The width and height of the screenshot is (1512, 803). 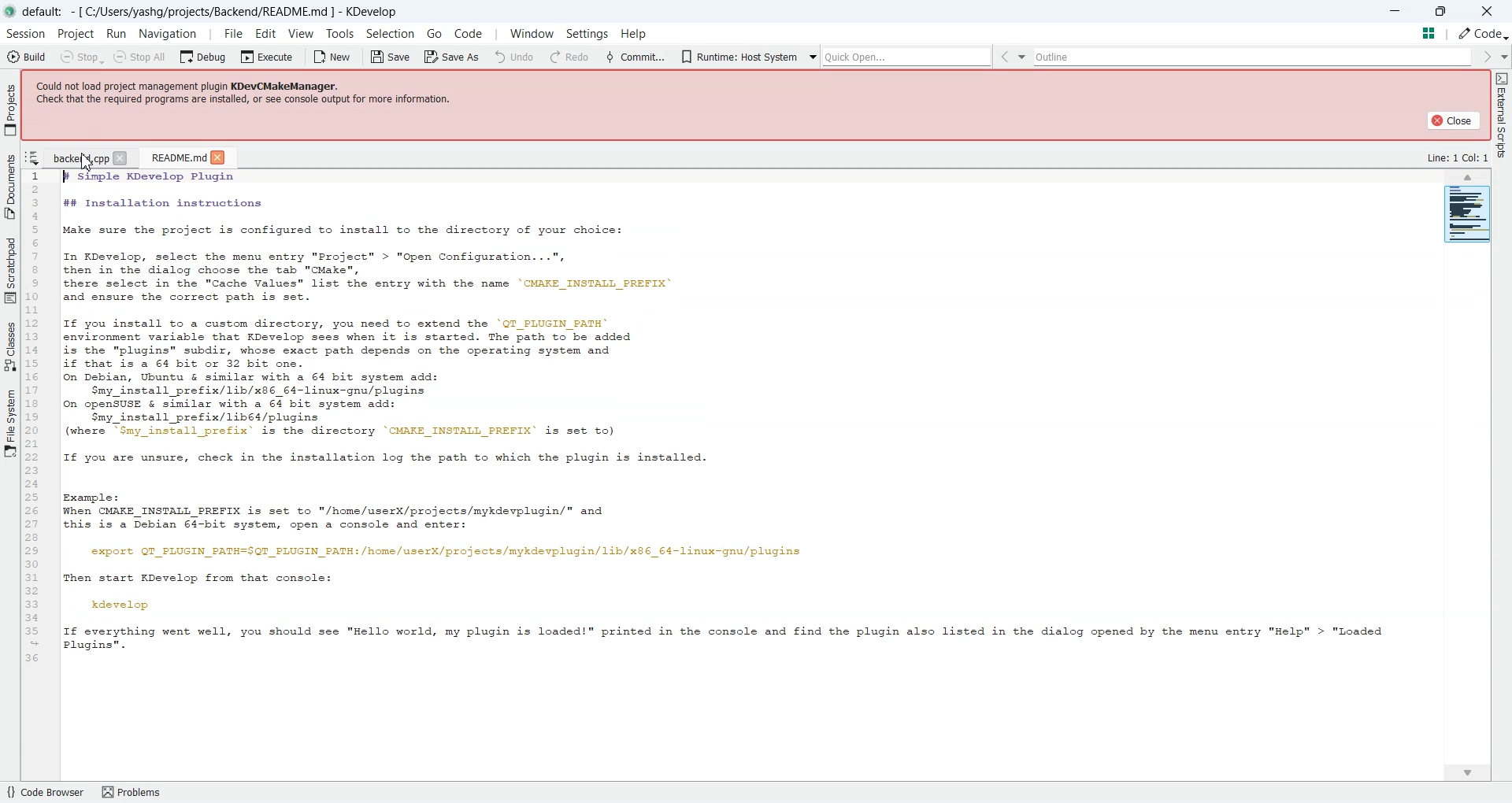 I want to click on Run, so click(x=118, y=35).